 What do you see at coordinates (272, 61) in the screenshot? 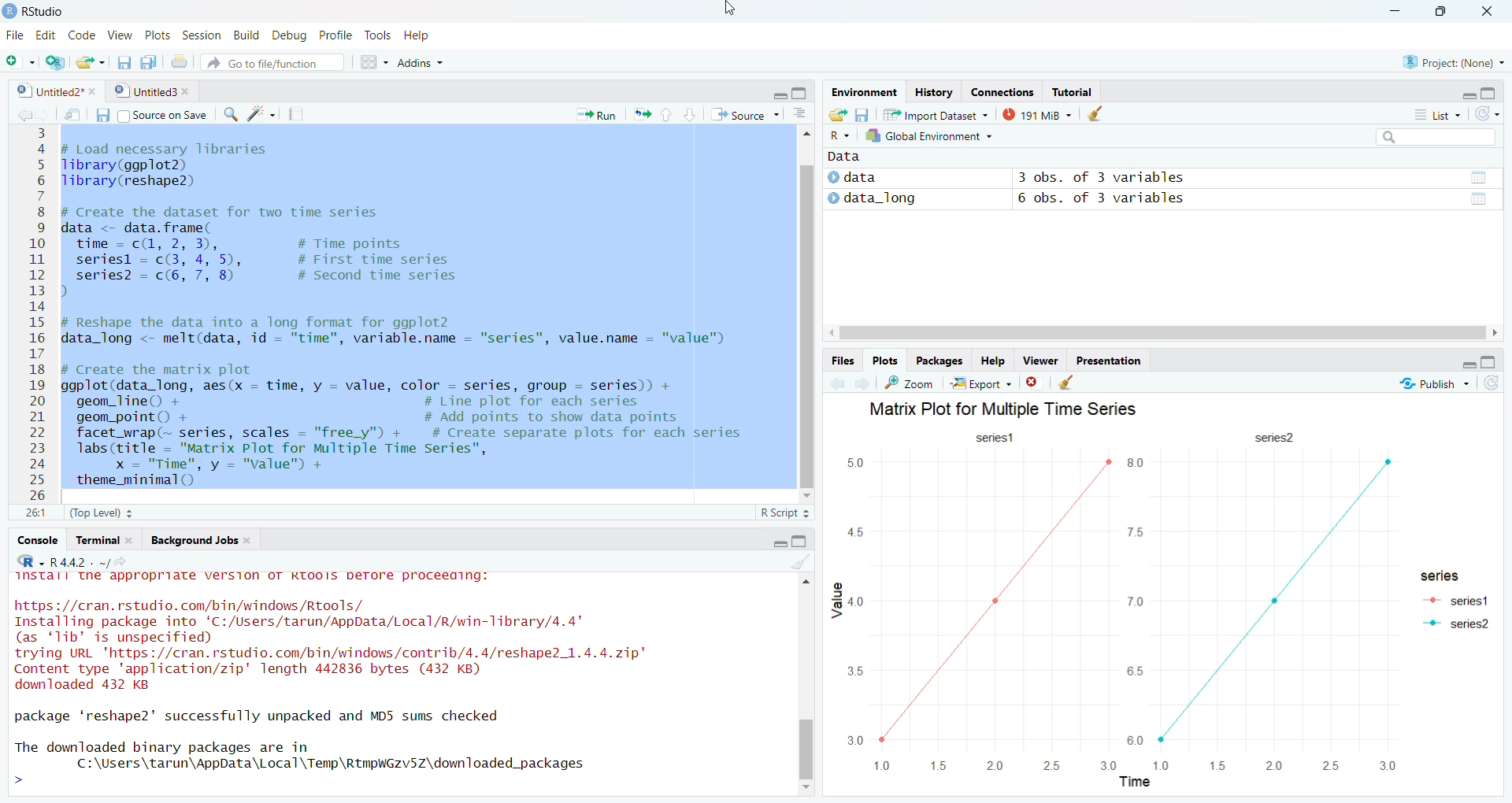
I see `A Go to file/function` at bounding box center [272, 61].